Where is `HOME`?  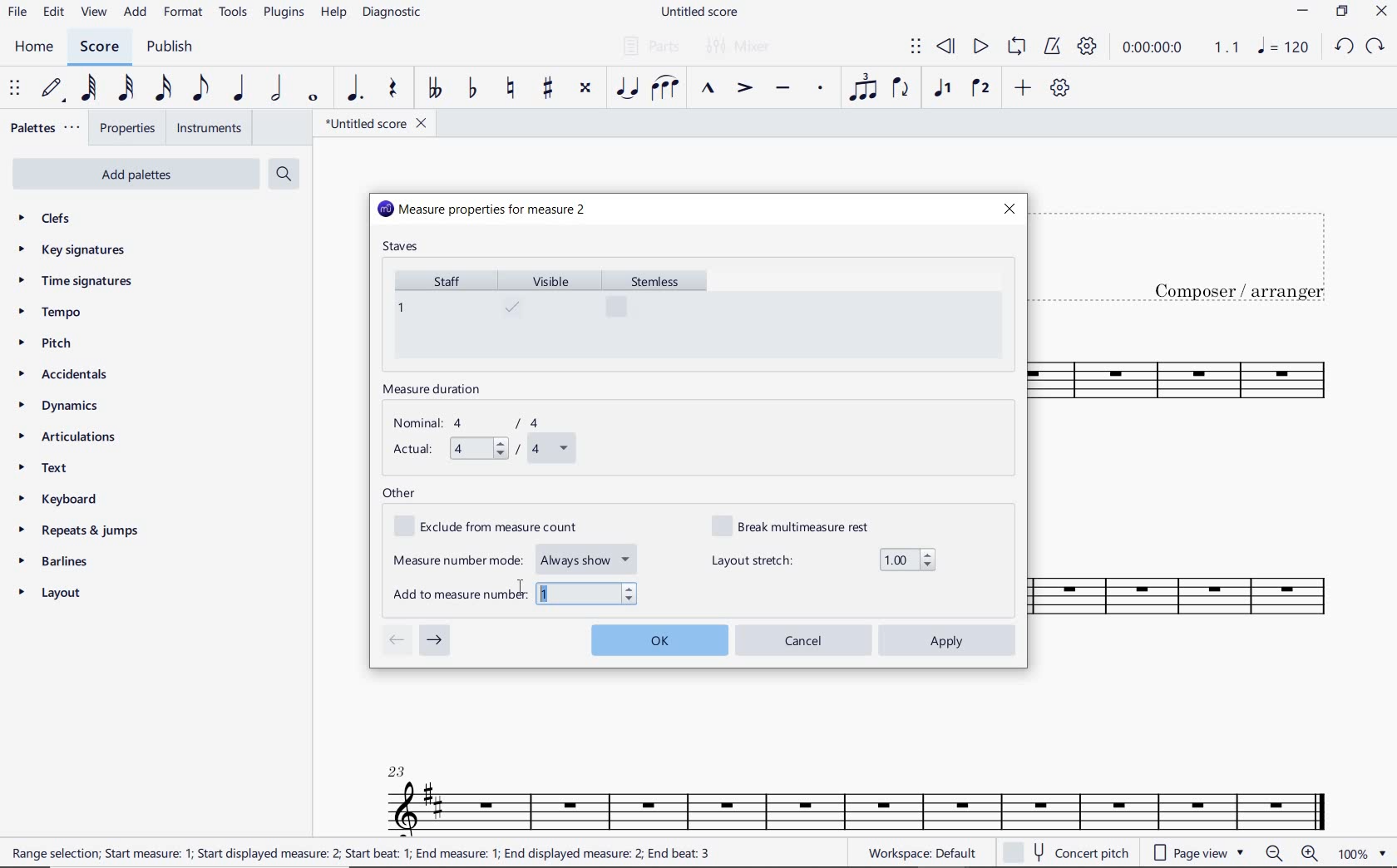 HOME is located at coordinates (33, 47).